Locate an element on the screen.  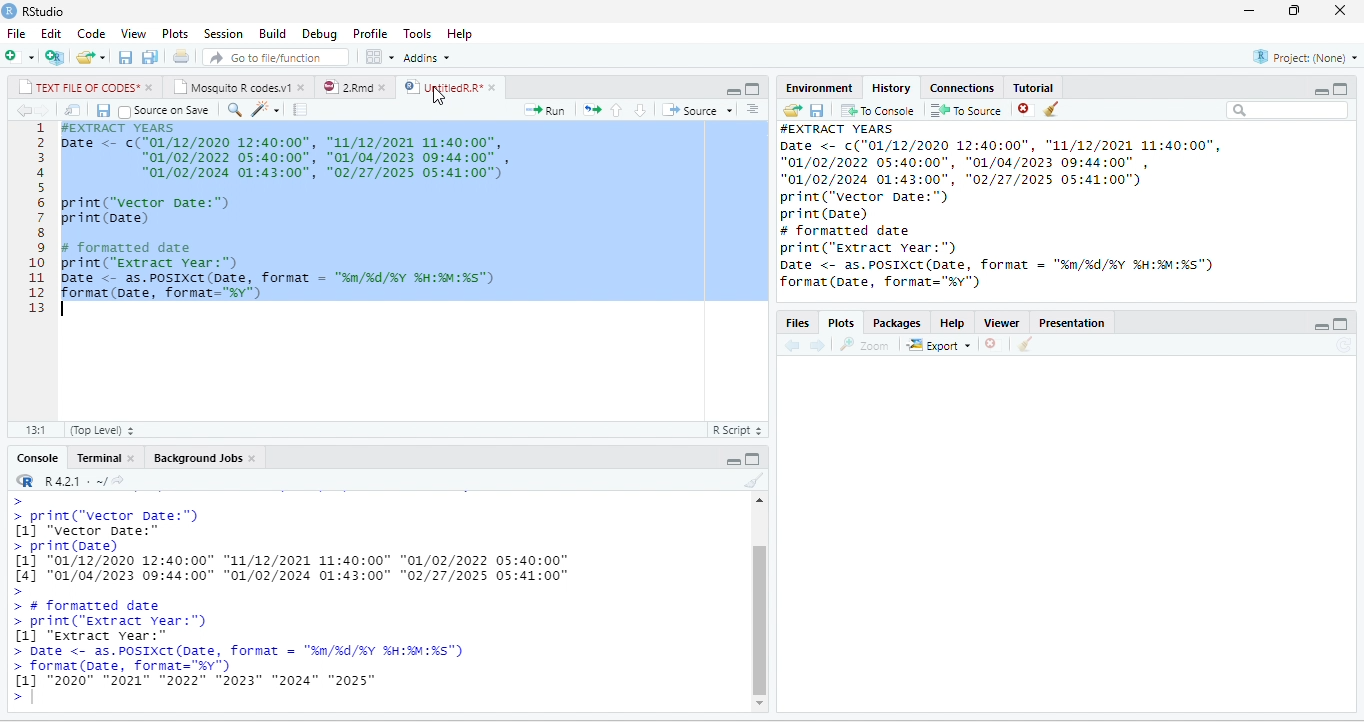
To Console is located at coordinates (877, 110).